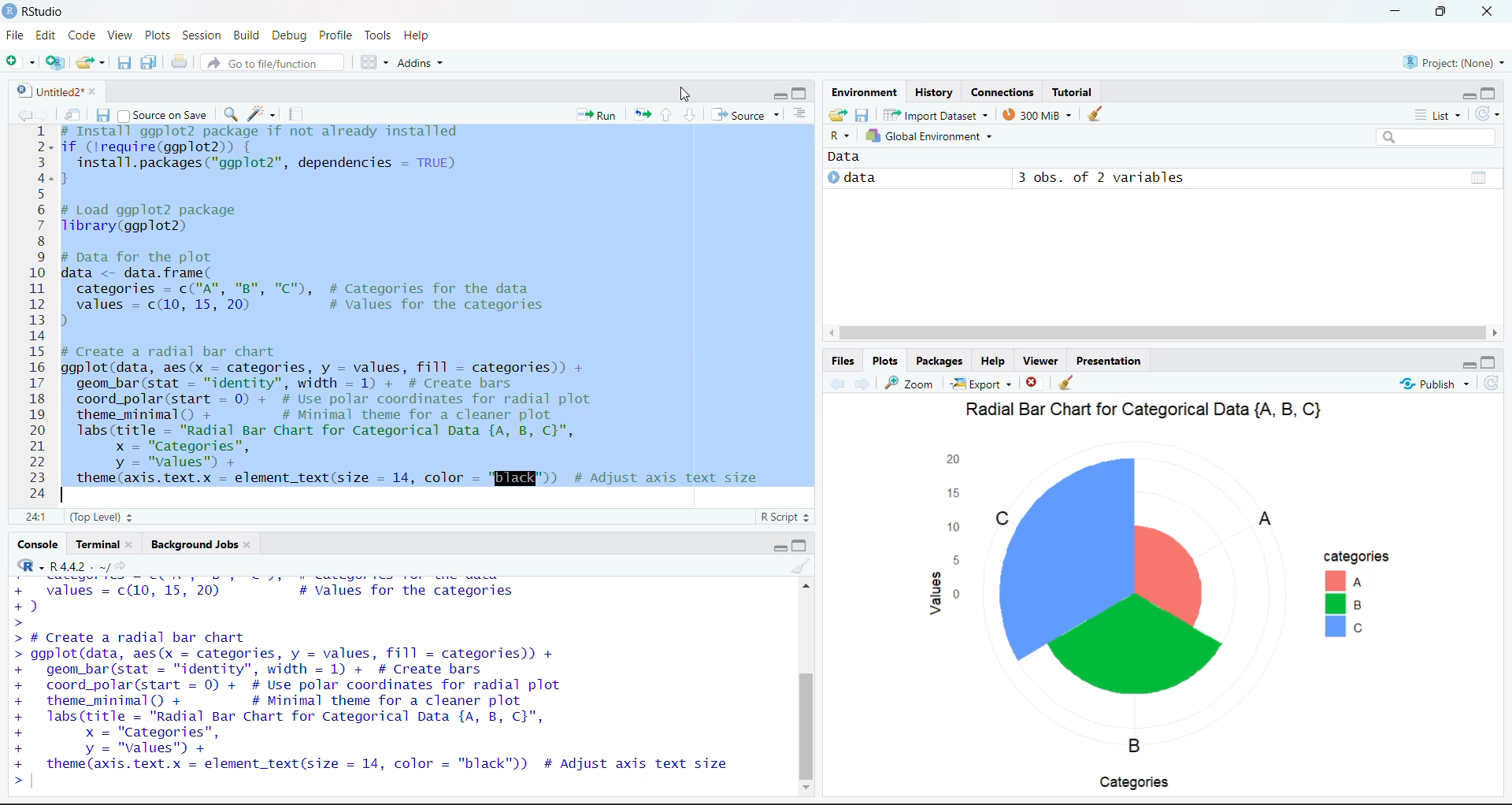 Image resolution: width=1512 pixels, height=805 pixels. Describe the element at coordinates (1350, 551) in the screenshot. I see `categories` at that location.